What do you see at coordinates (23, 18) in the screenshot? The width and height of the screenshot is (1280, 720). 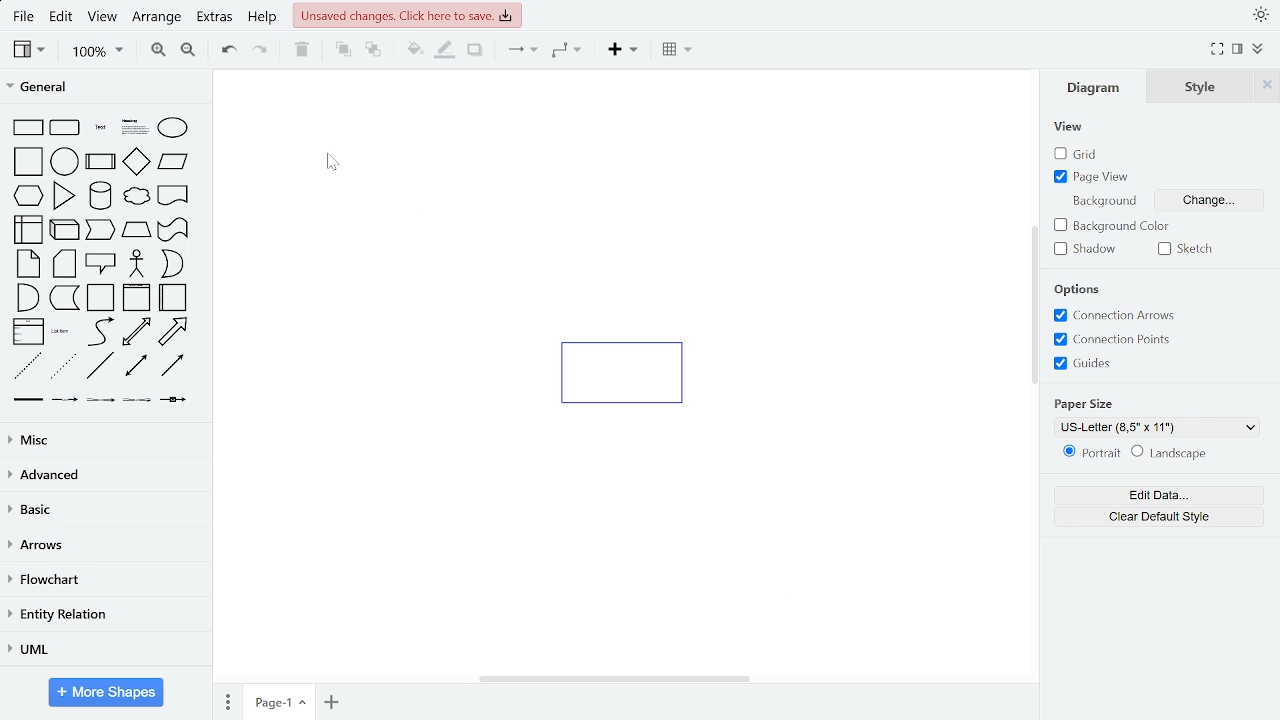 I see `file` at bounding box center [23, 18].